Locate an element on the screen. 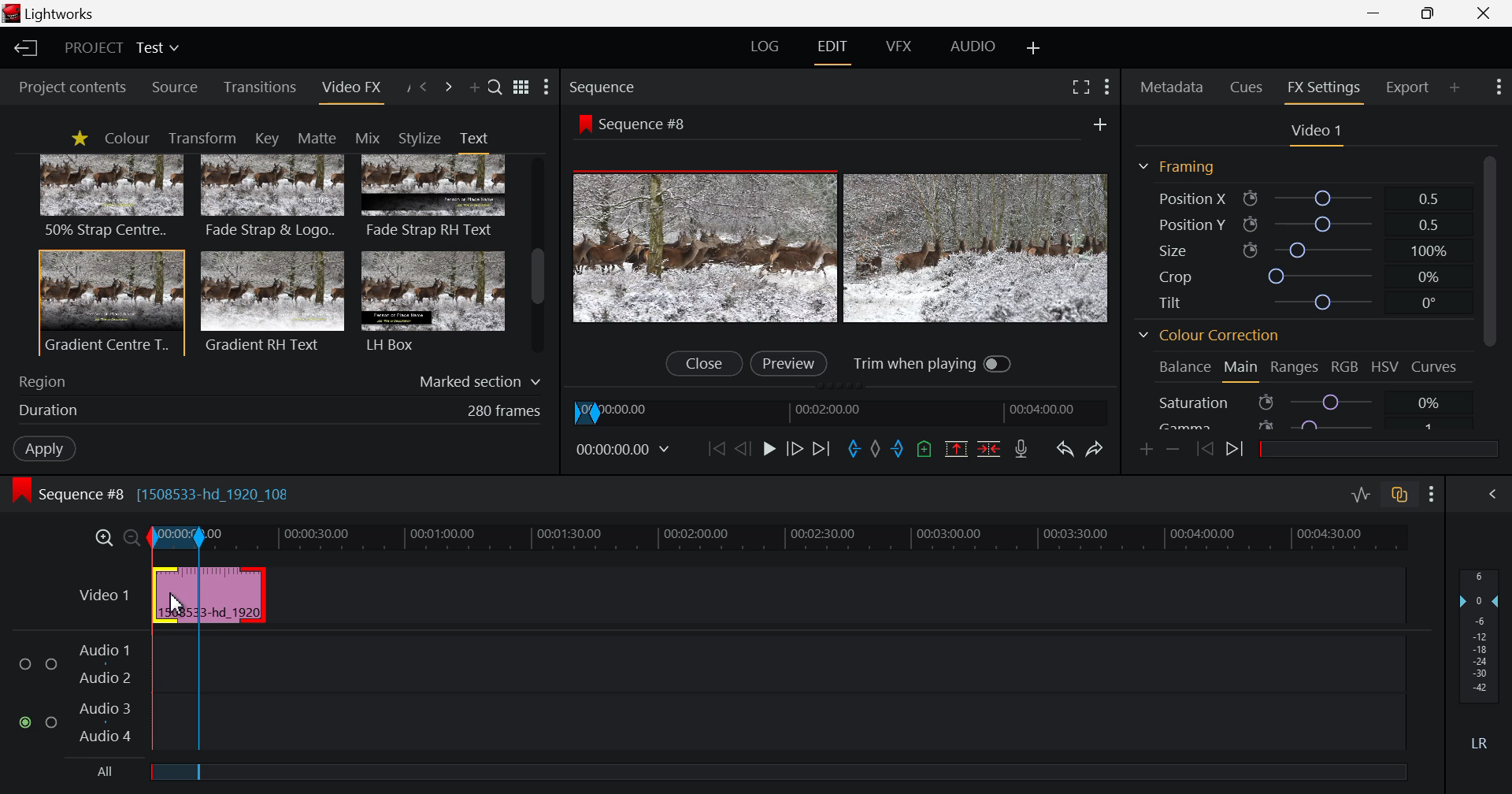  remove keyframe is located at coordinates (1173, 449).